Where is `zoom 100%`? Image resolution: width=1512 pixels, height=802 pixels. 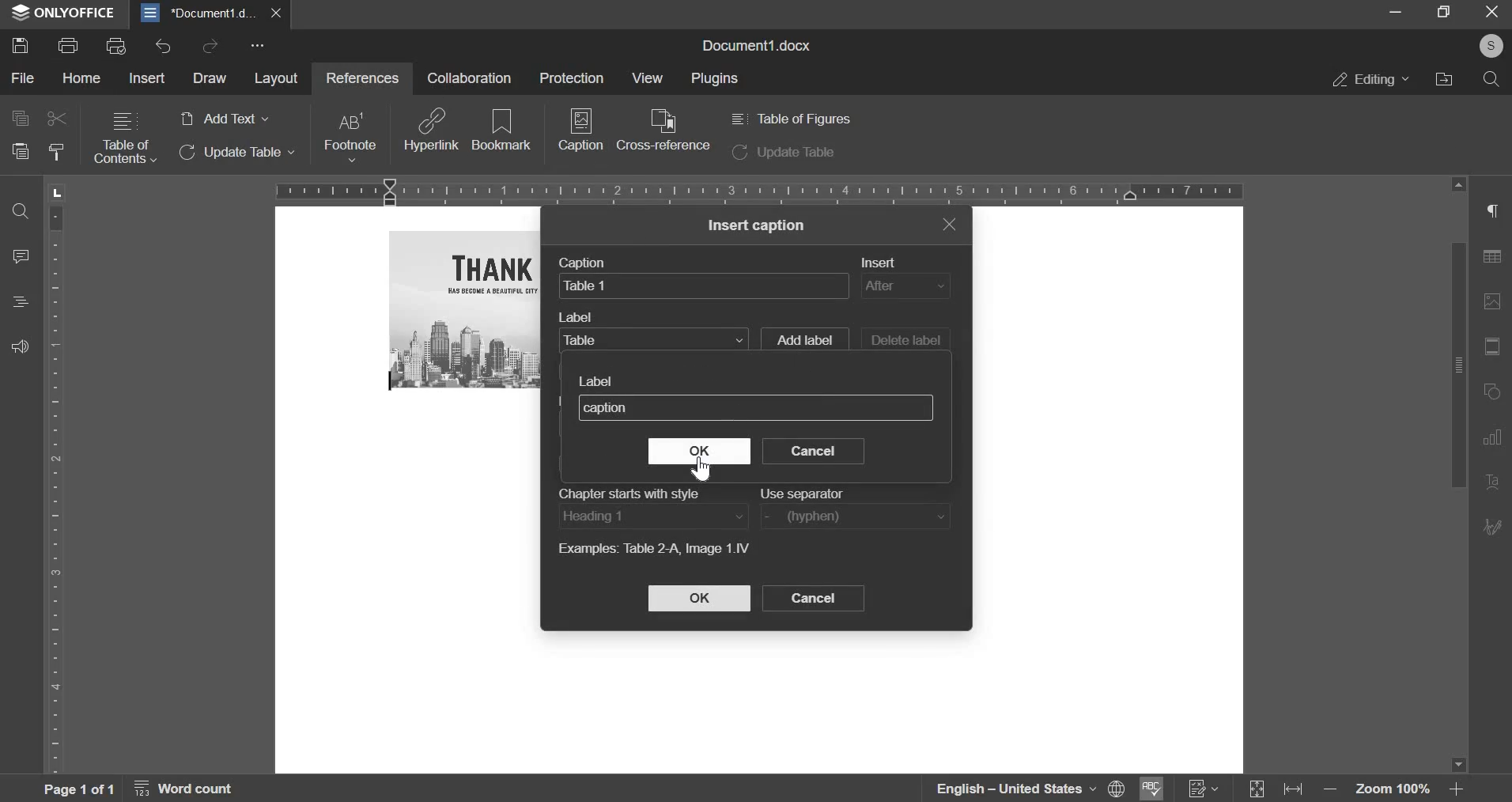
zoom 100% is located at coordinates (1394, 791).